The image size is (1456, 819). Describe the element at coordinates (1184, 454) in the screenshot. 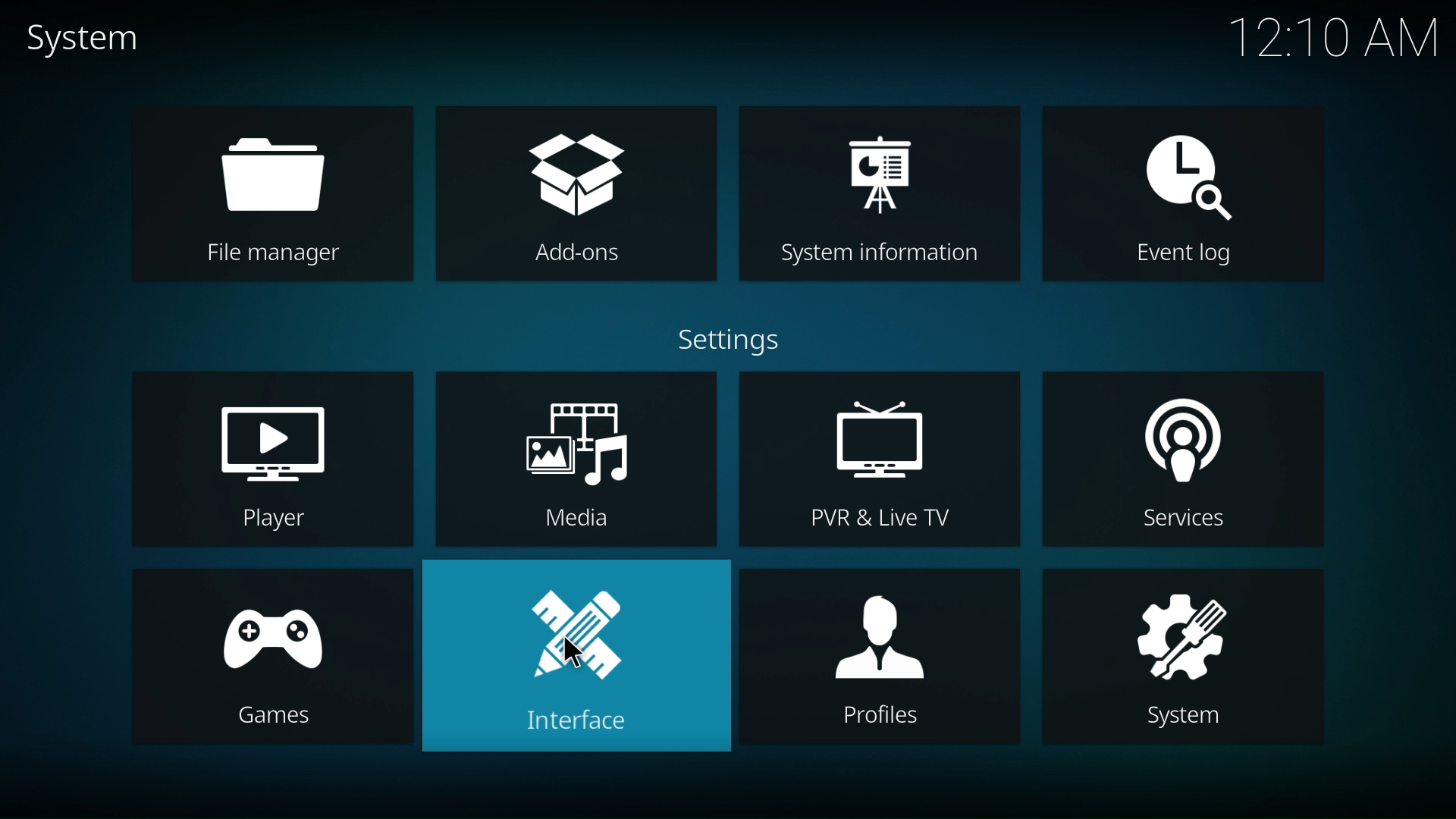

I see `services` at that location.